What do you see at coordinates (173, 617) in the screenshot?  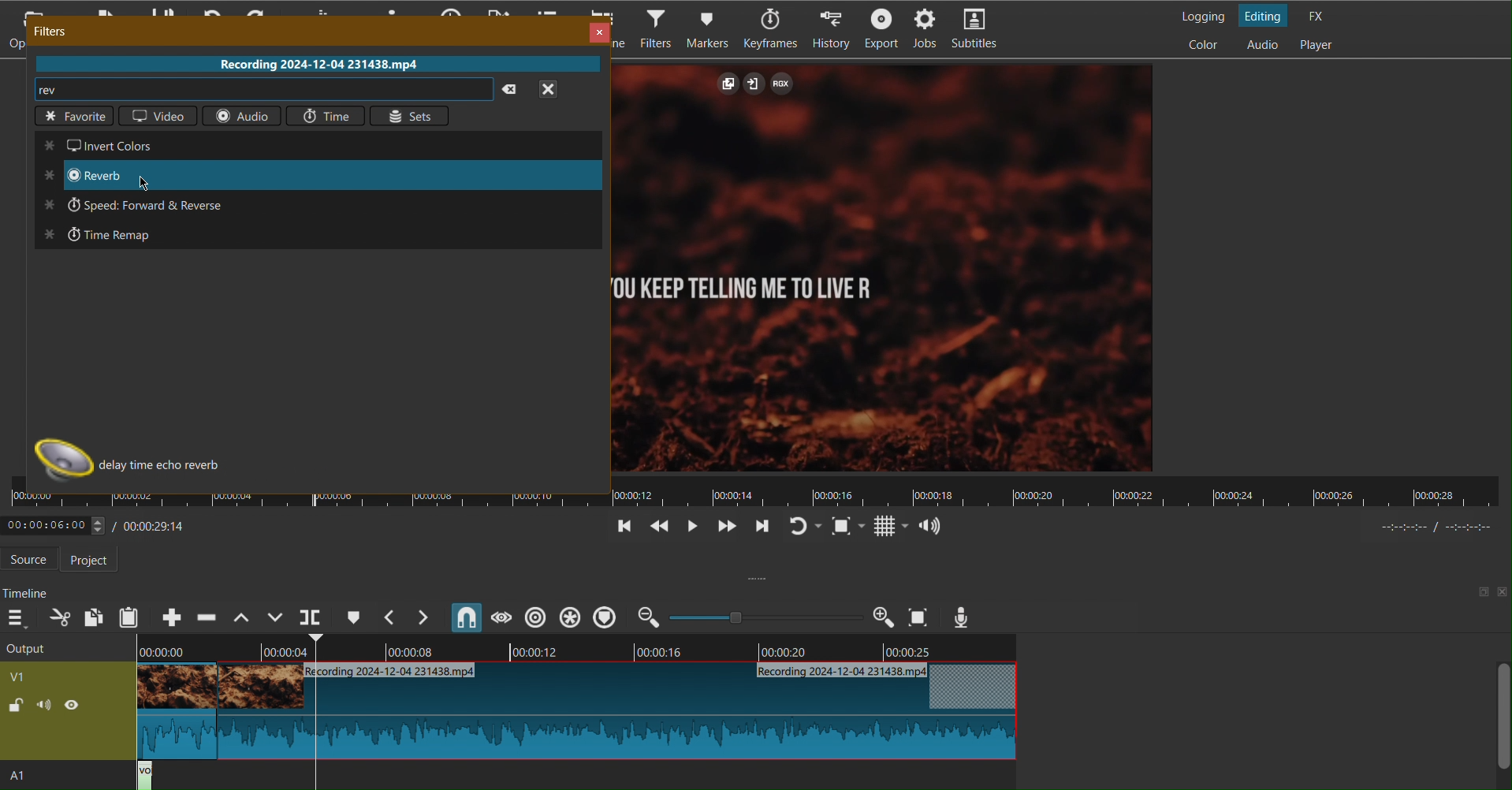 I see `Append` at bounding box center [173, 617].